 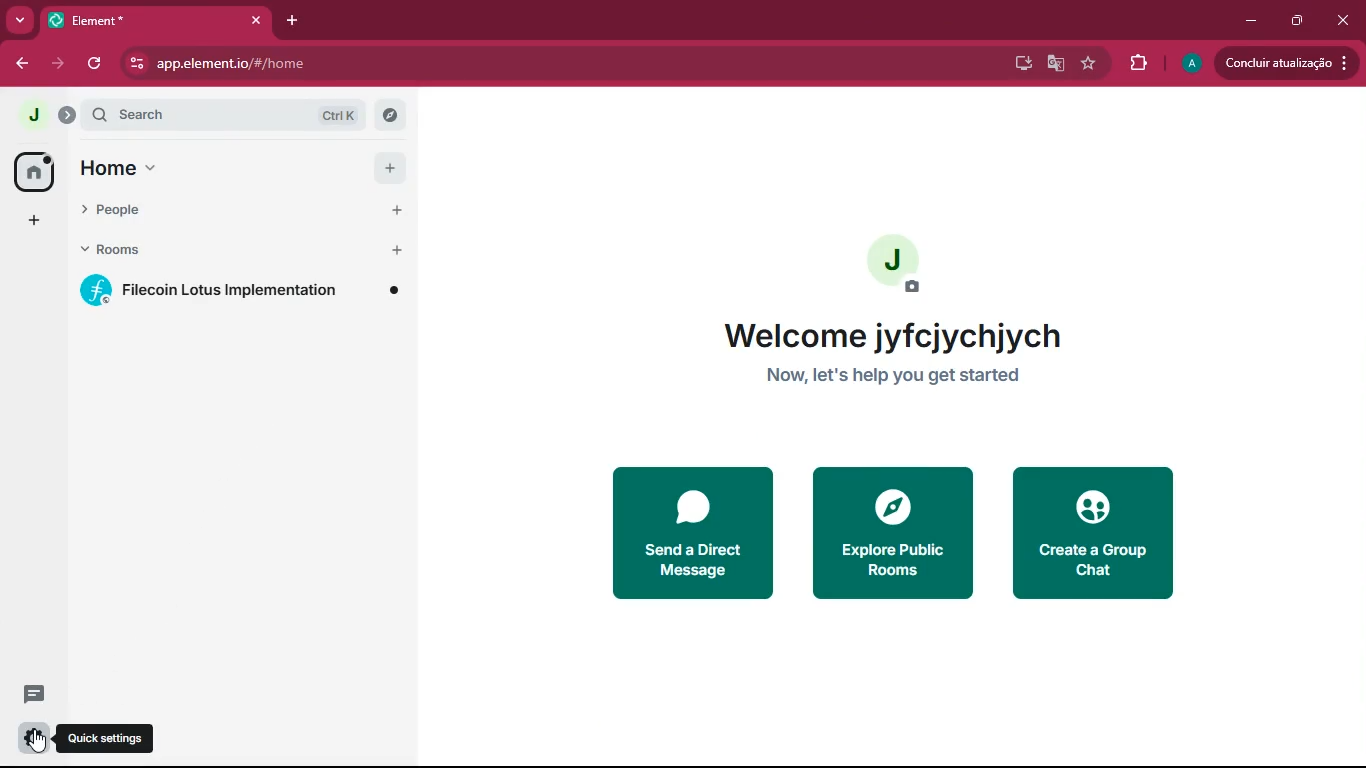 What do you see at coordinates (395, 210) in the screenshot?
I see `Add` at bounding box center [395, 210].